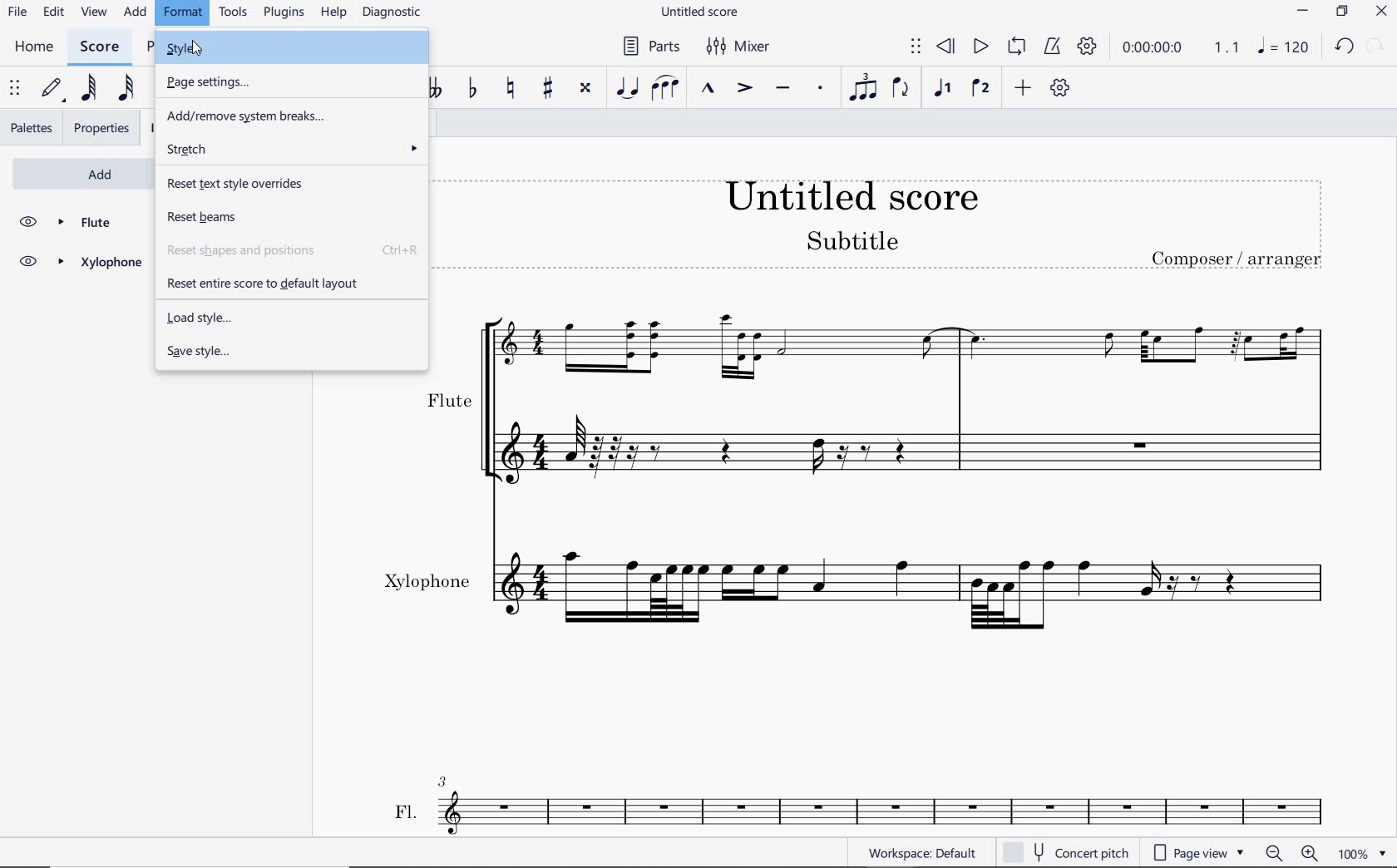 The image size is (1397, 868). I want to click on save style, so click(289, 354).